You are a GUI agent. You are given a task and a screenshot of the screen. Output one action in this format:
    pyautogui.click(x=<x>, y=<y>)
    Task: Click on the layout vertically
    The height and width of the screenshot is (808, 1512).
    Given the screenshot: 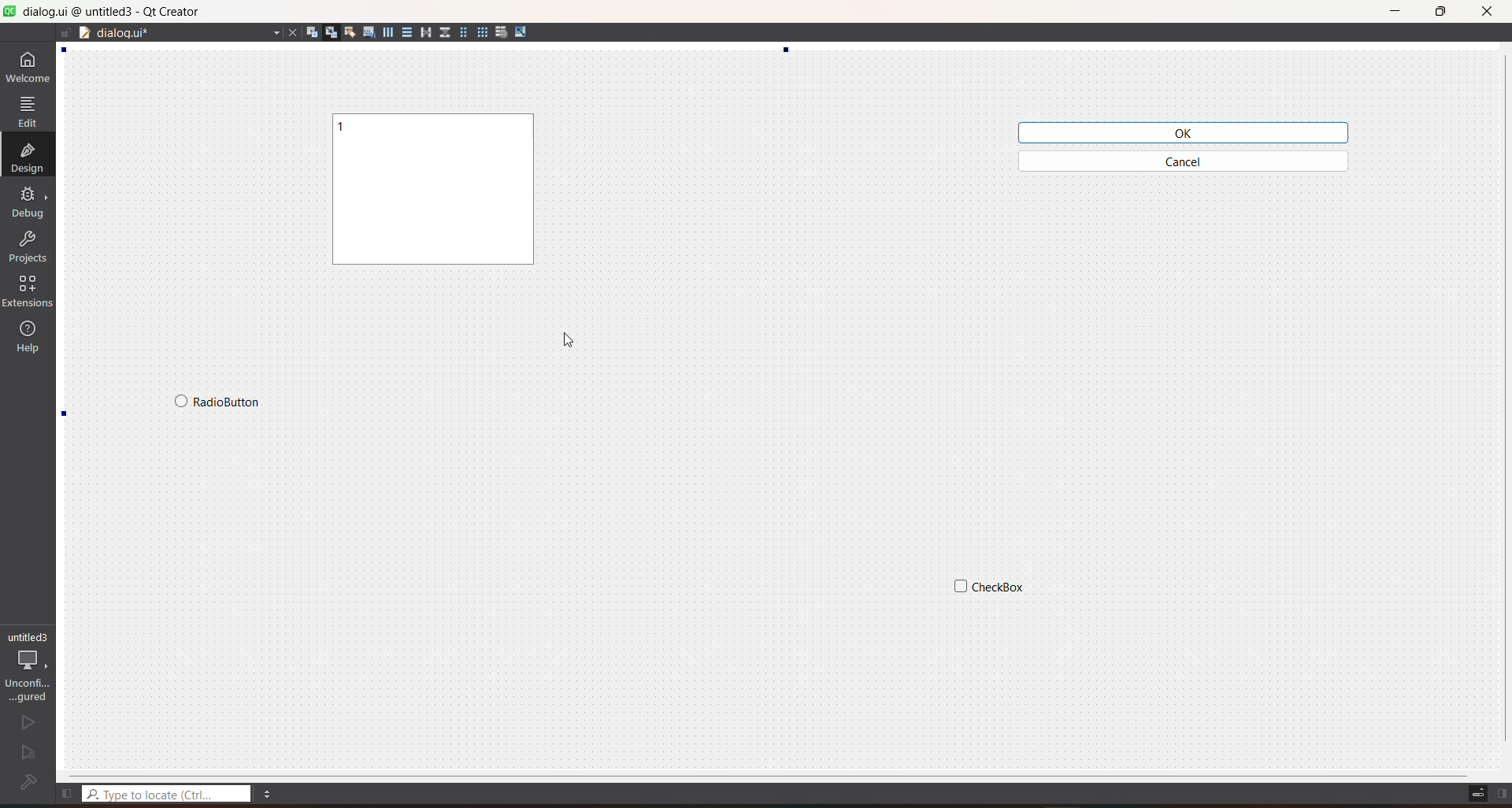 What is the action you would take?
    pyautogui.click(x=405, y=32)
    